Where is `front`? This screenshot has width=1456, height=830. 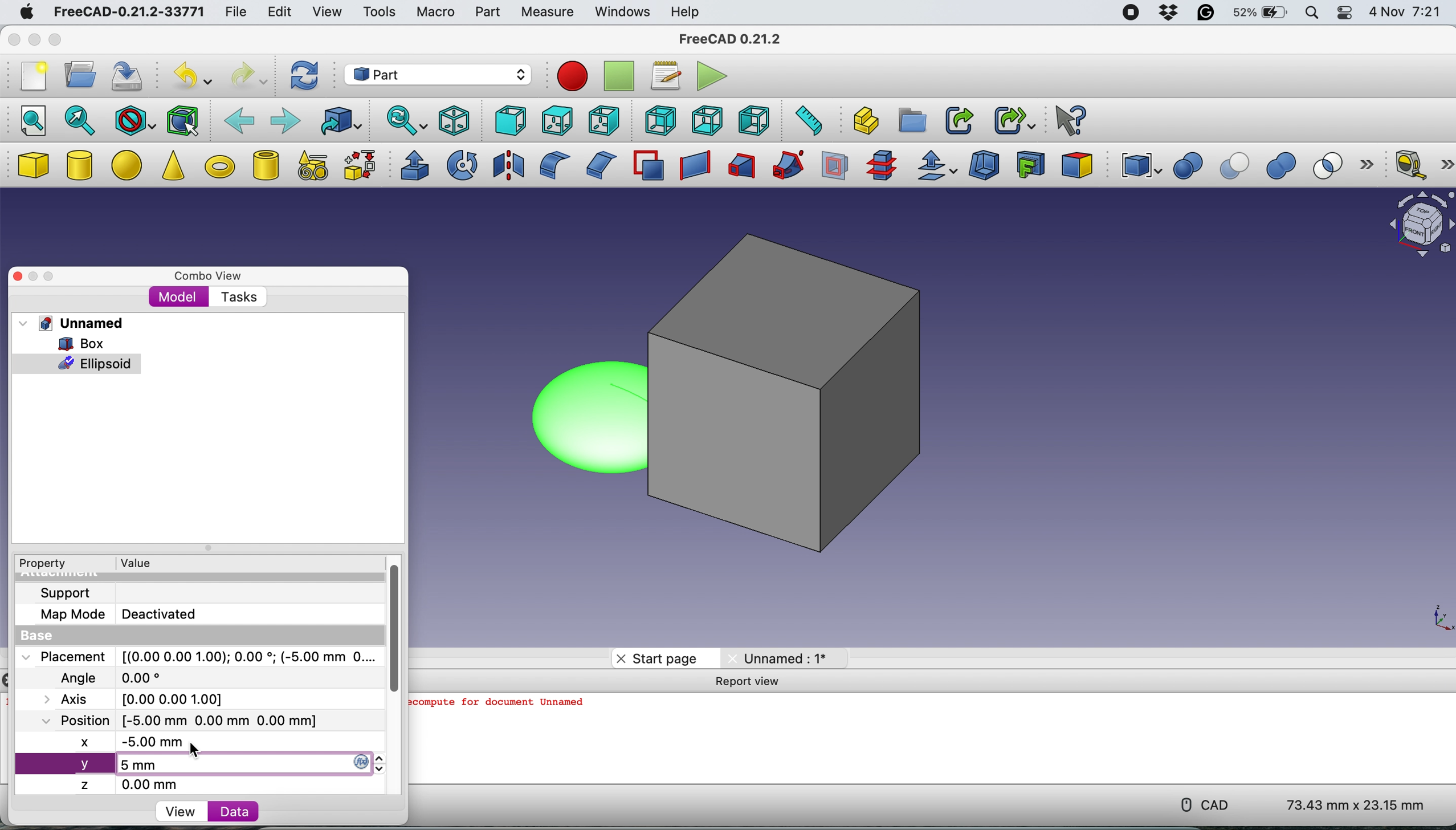 front is located at coordinates (508, 121).